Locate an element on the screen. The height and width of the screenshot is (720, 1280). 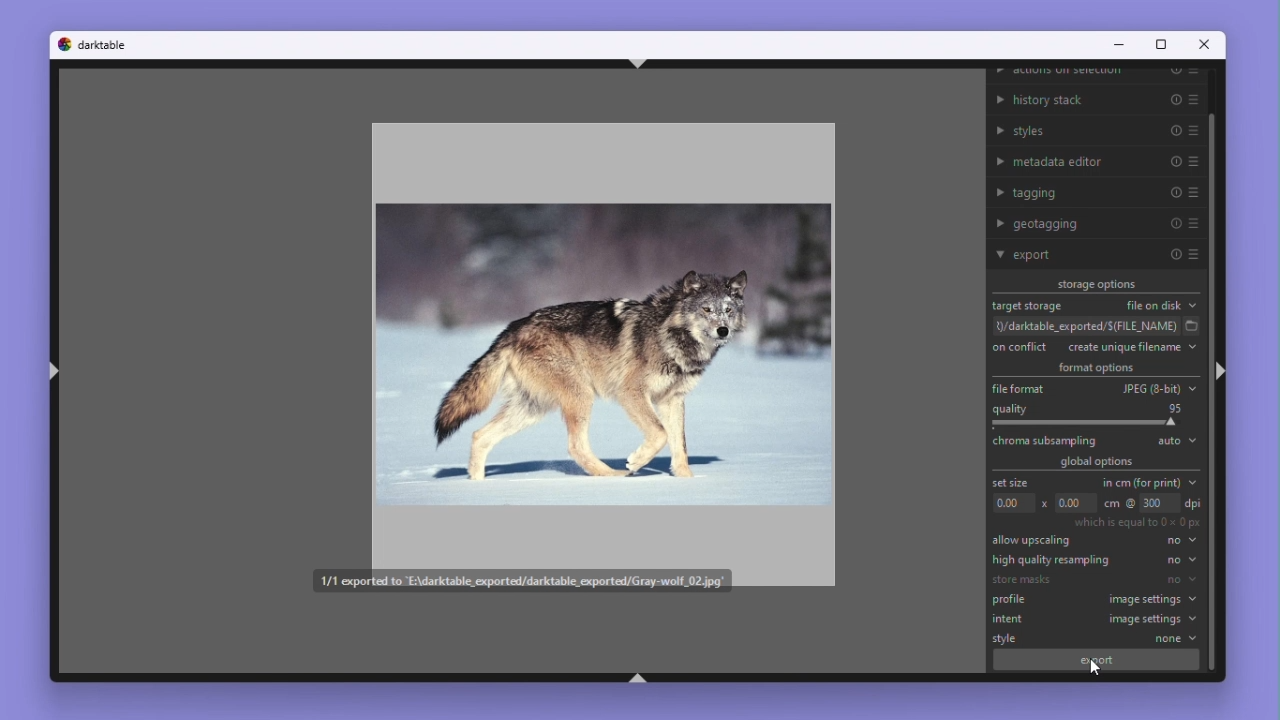
confirmation of file exported to the mentioned file path is located at coordinates (524, 583).